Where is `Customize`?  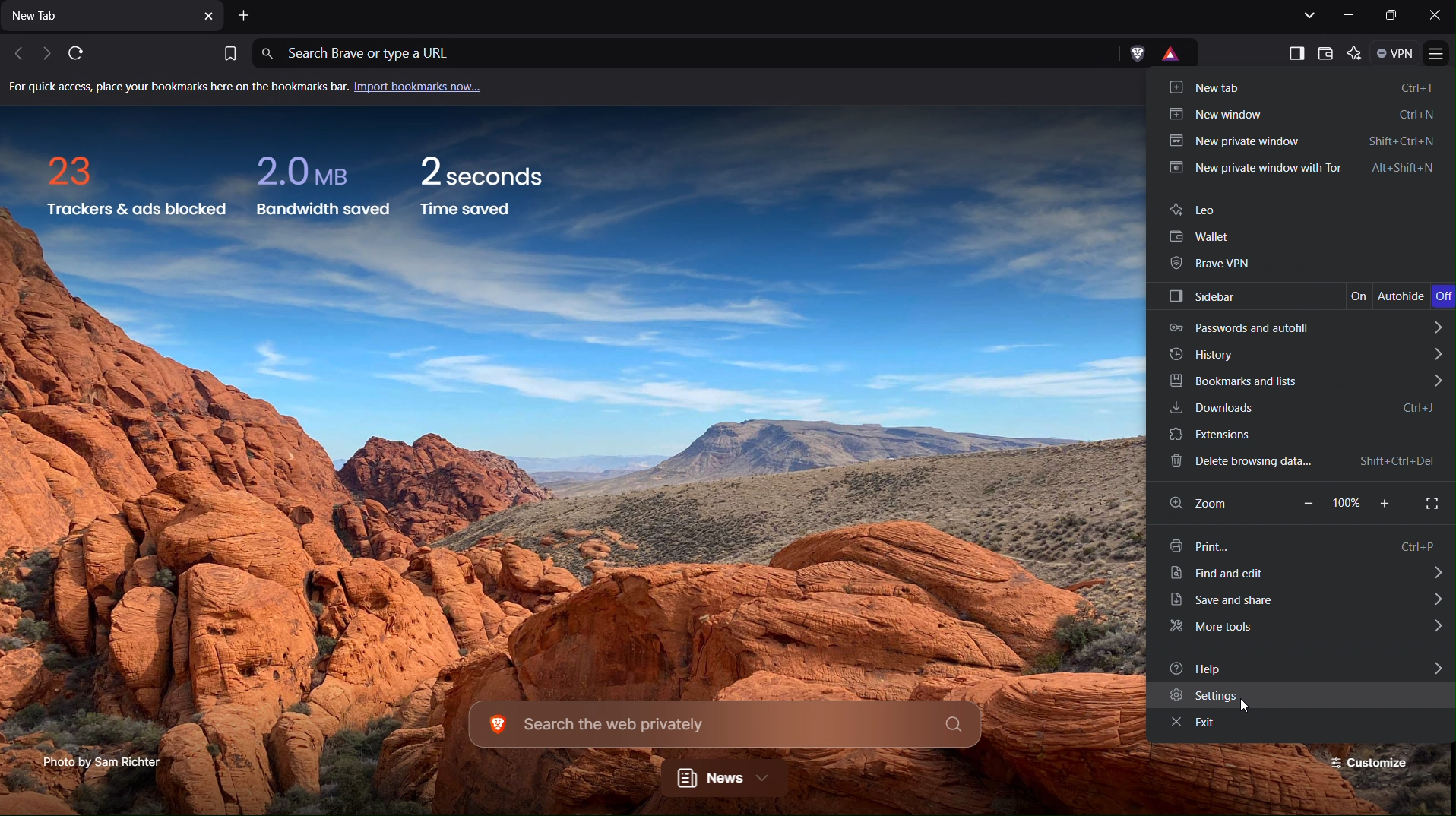 Customize is located at coordinates (1369, 760).